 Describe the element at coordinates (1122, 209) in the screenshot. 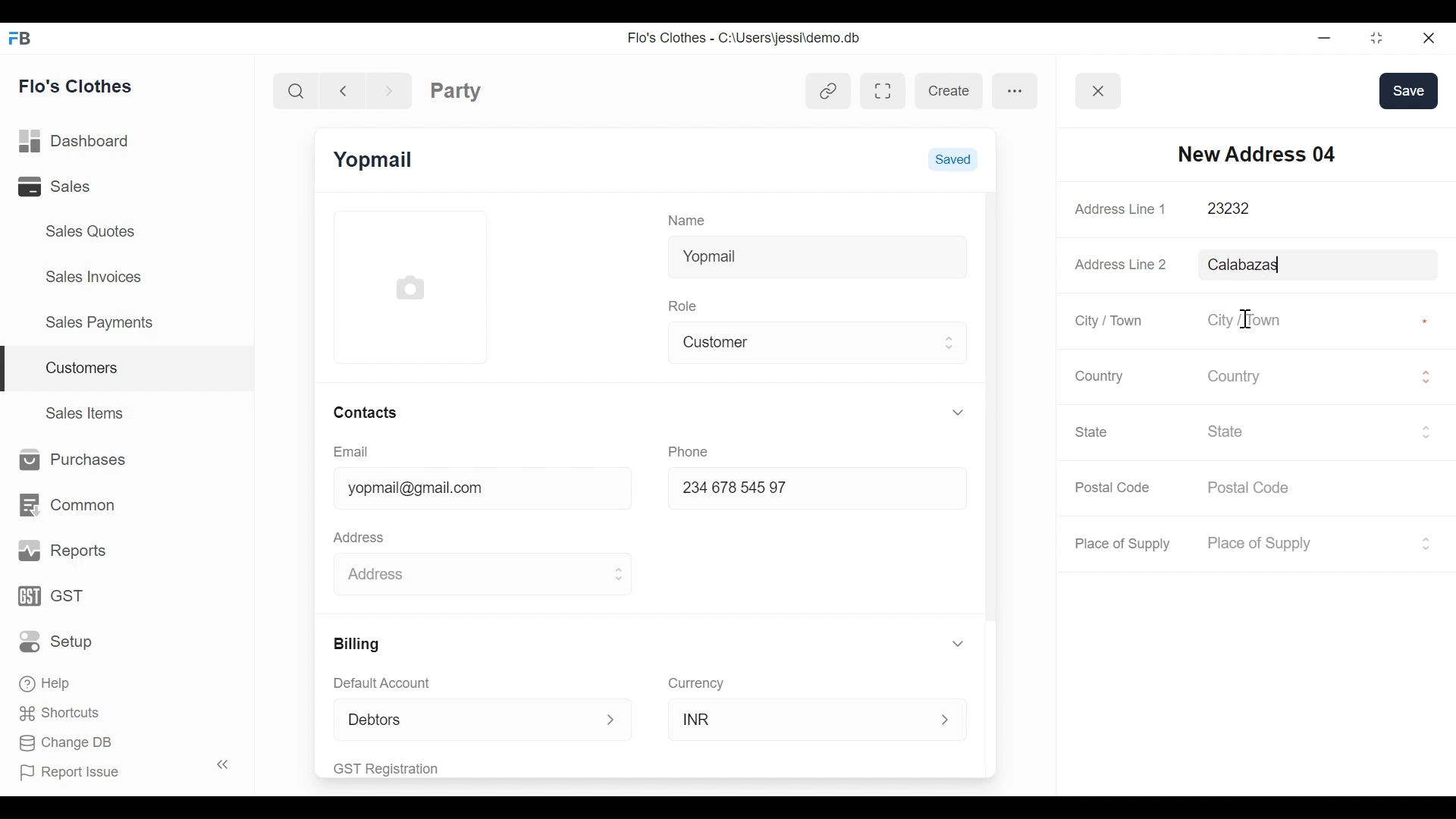

I see `Address Line 1` at that location.